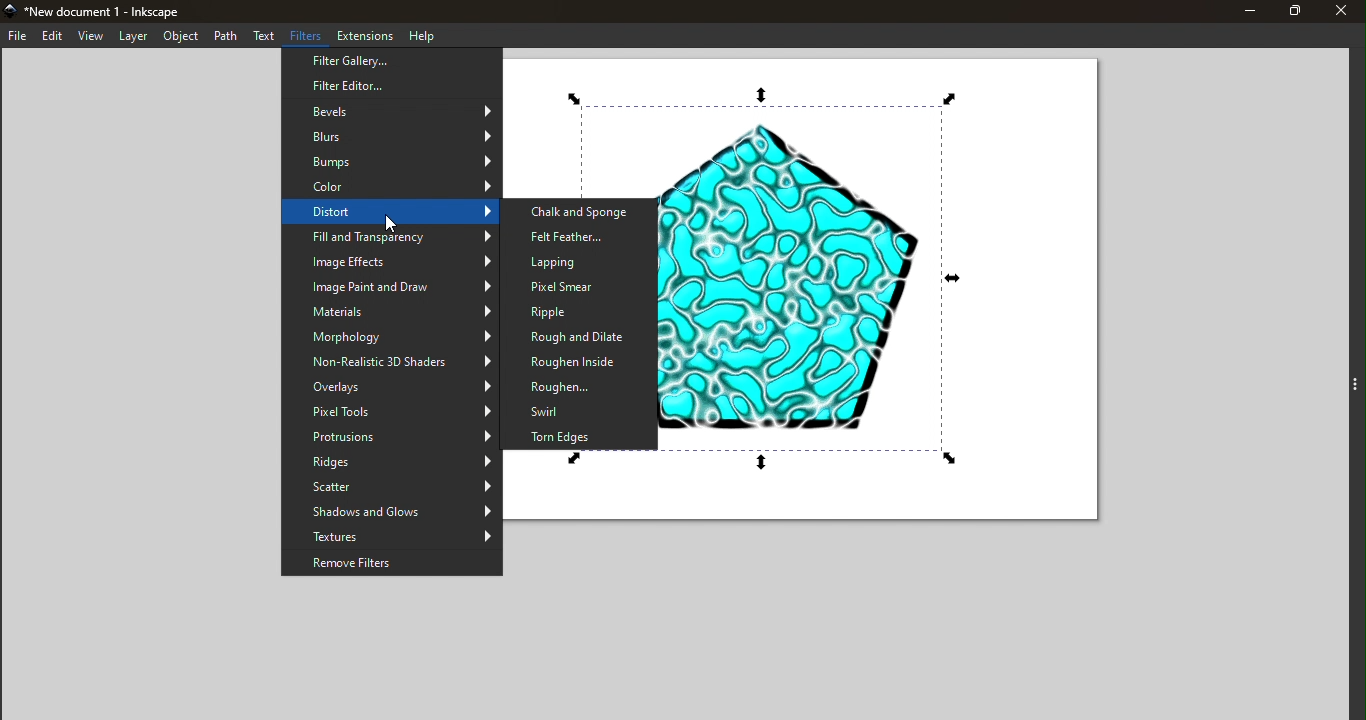 This screenshot has width=1366, height=720. Describe the element at coordinates (392, 487) in the screenshot. I see `Scatter` at that location.